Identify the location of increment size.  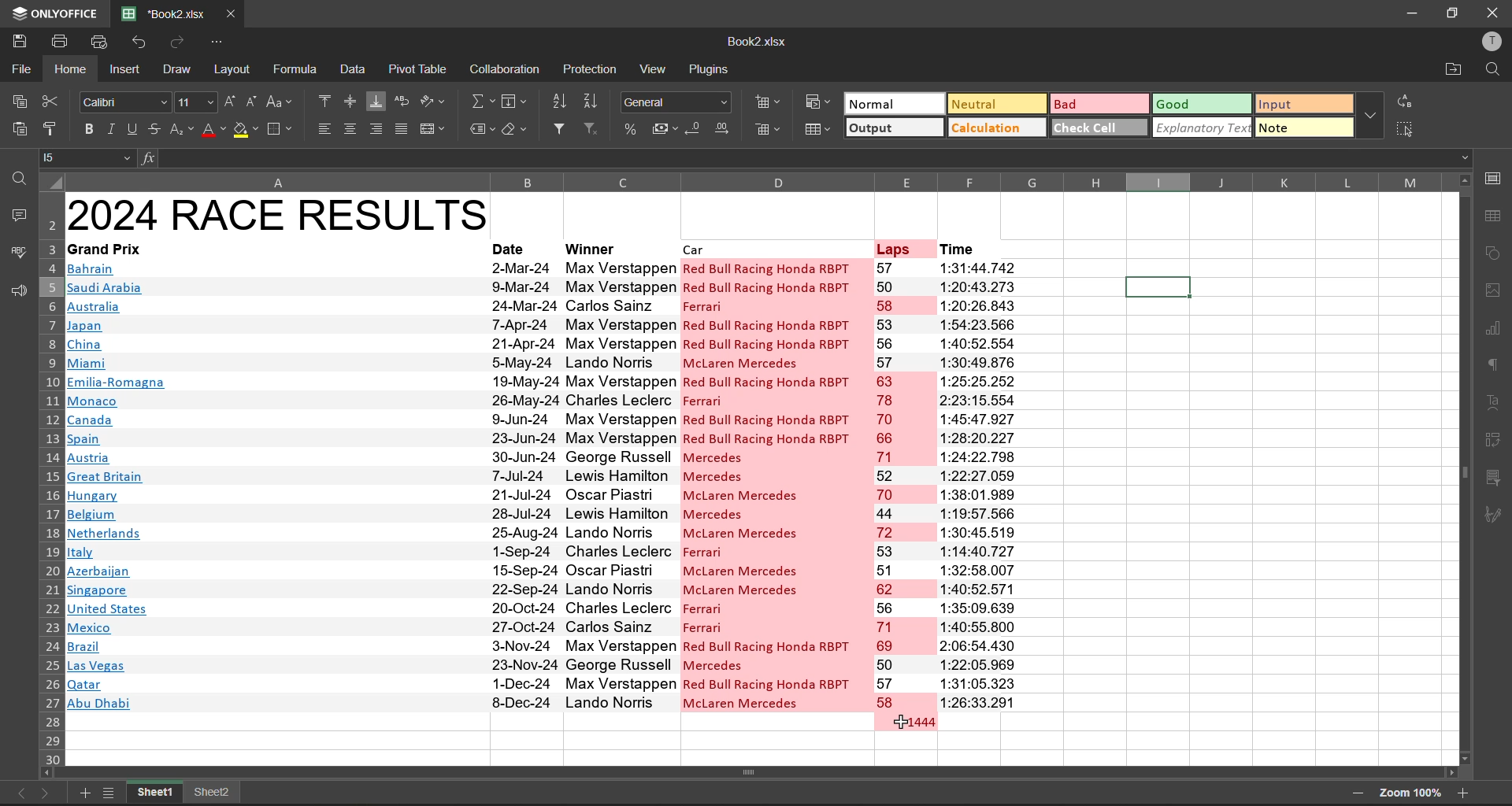
(231, 102).